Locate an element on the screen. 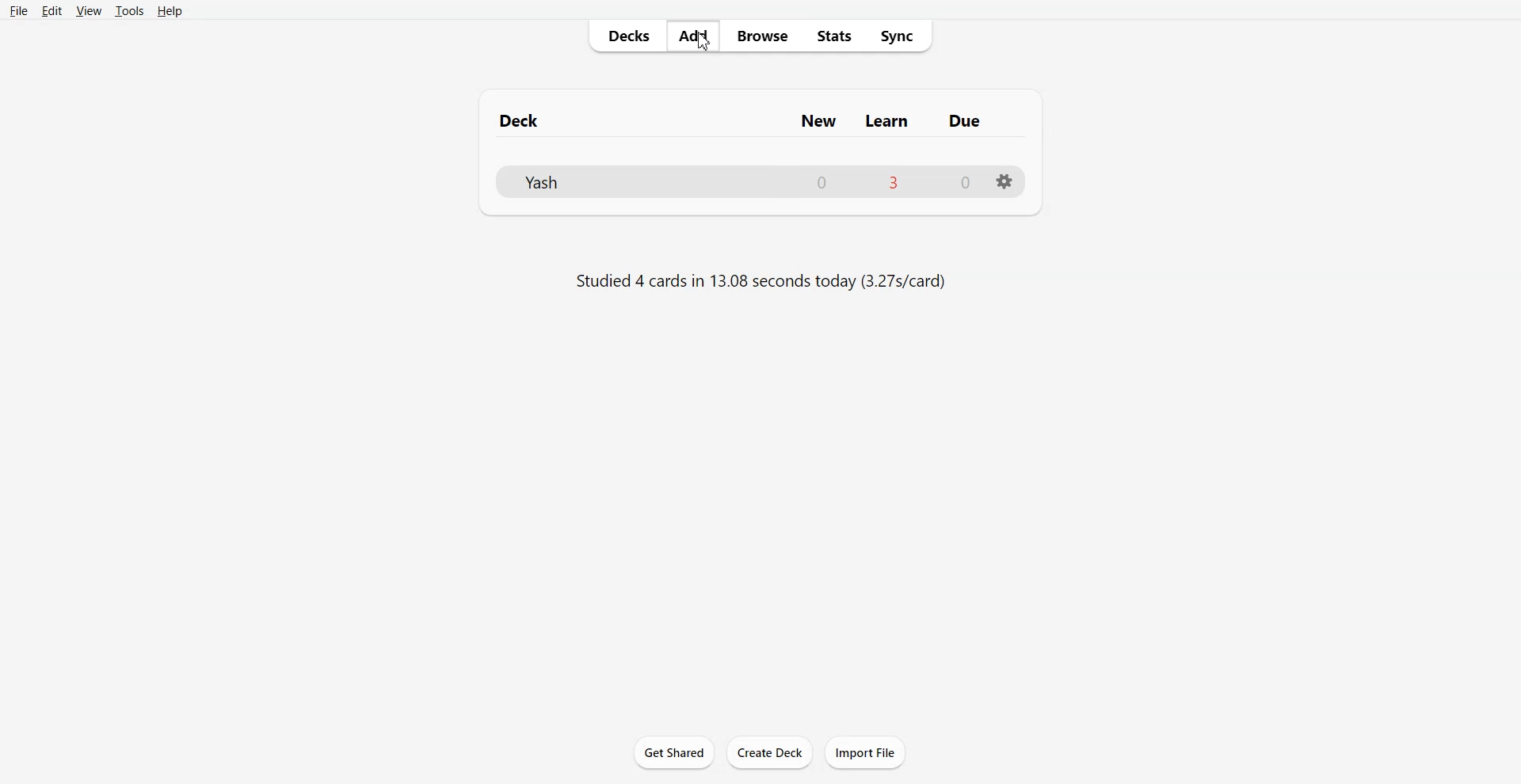  cursor is located at coordinates (706, 47).